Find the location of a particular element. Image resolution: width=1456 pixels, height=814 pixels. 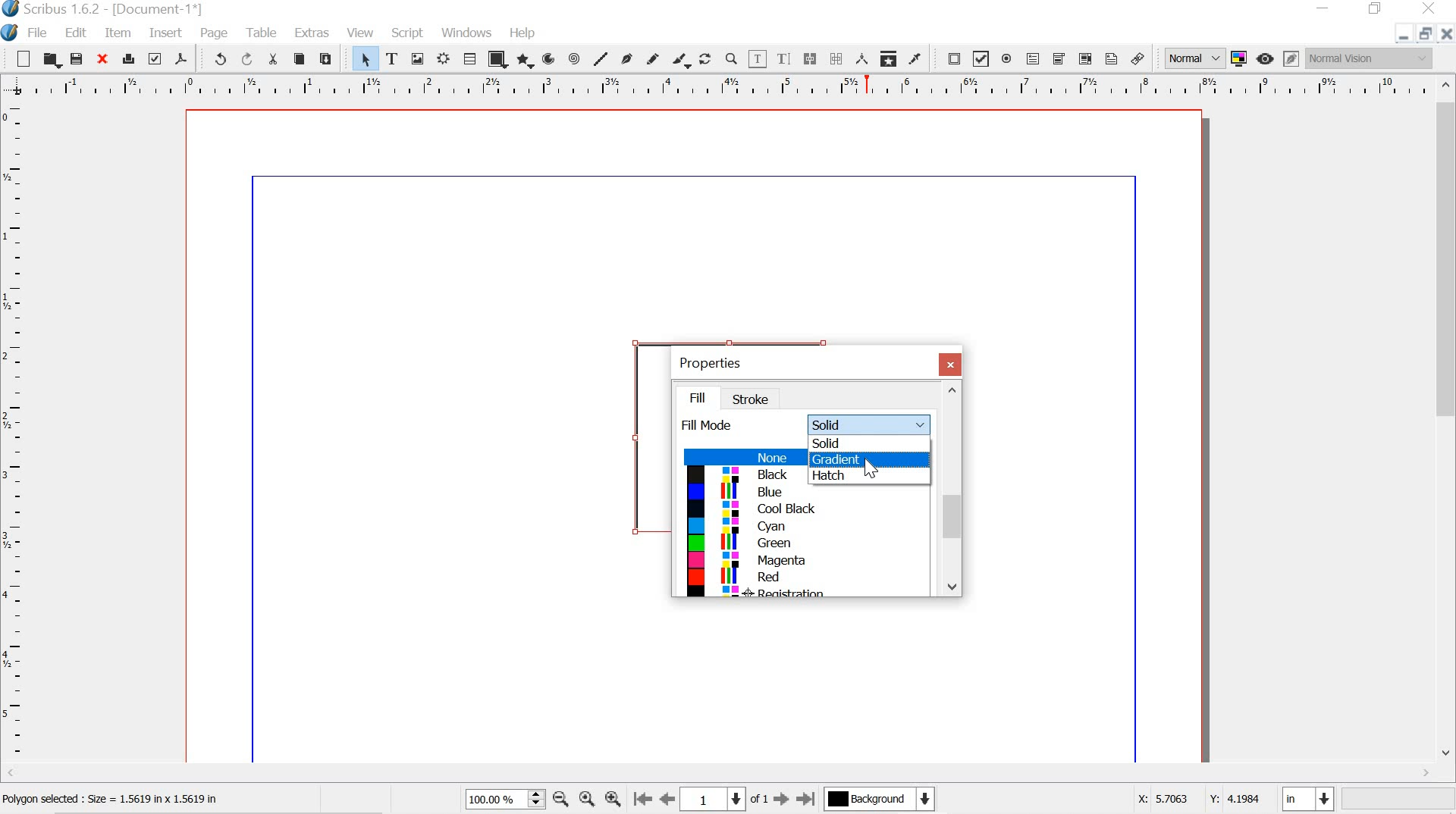

new is located at coordinates (18, 58).